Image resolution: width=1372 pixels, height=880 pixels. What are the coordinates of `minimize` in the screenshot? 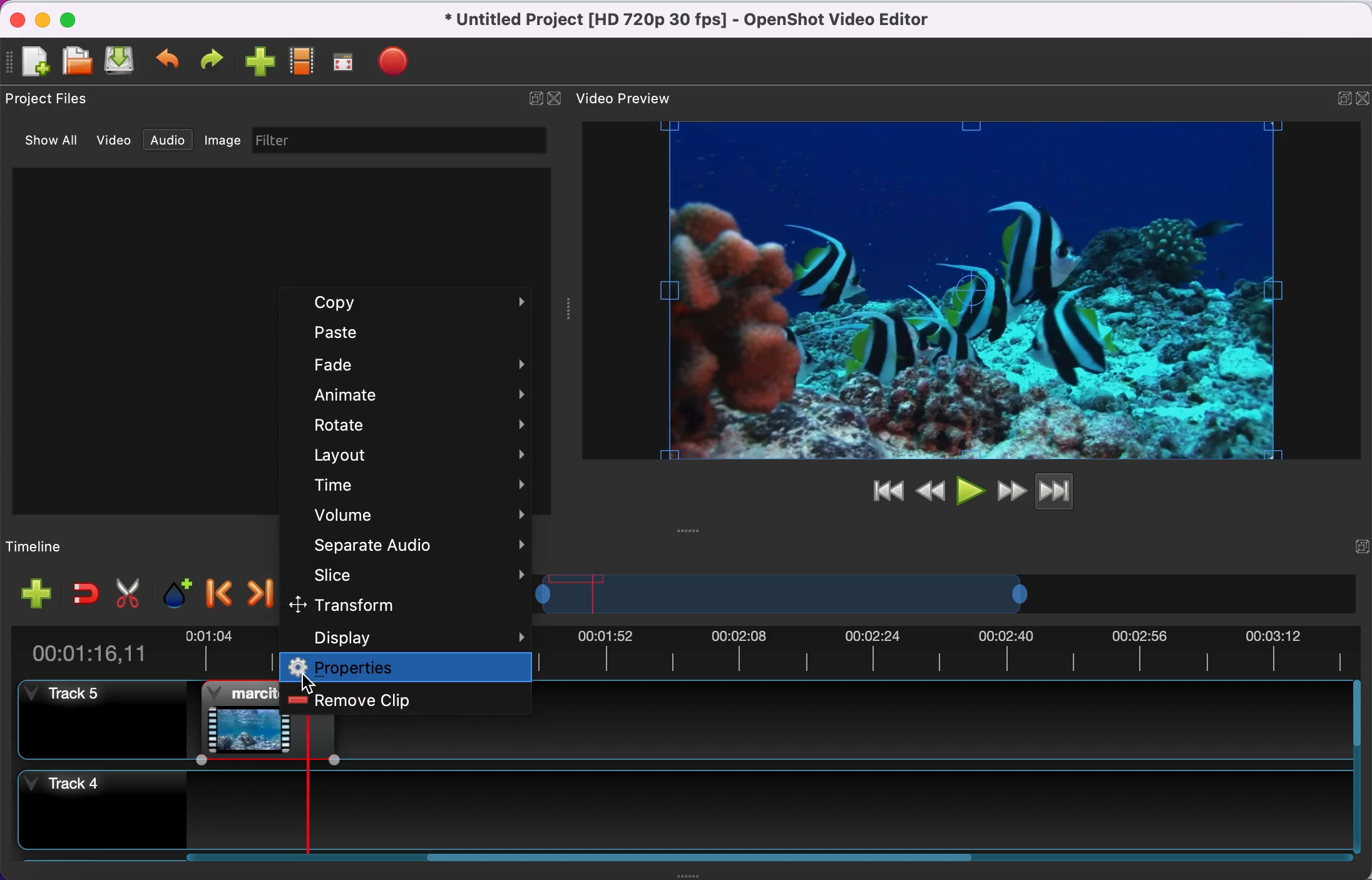 It's located at (42, 19).